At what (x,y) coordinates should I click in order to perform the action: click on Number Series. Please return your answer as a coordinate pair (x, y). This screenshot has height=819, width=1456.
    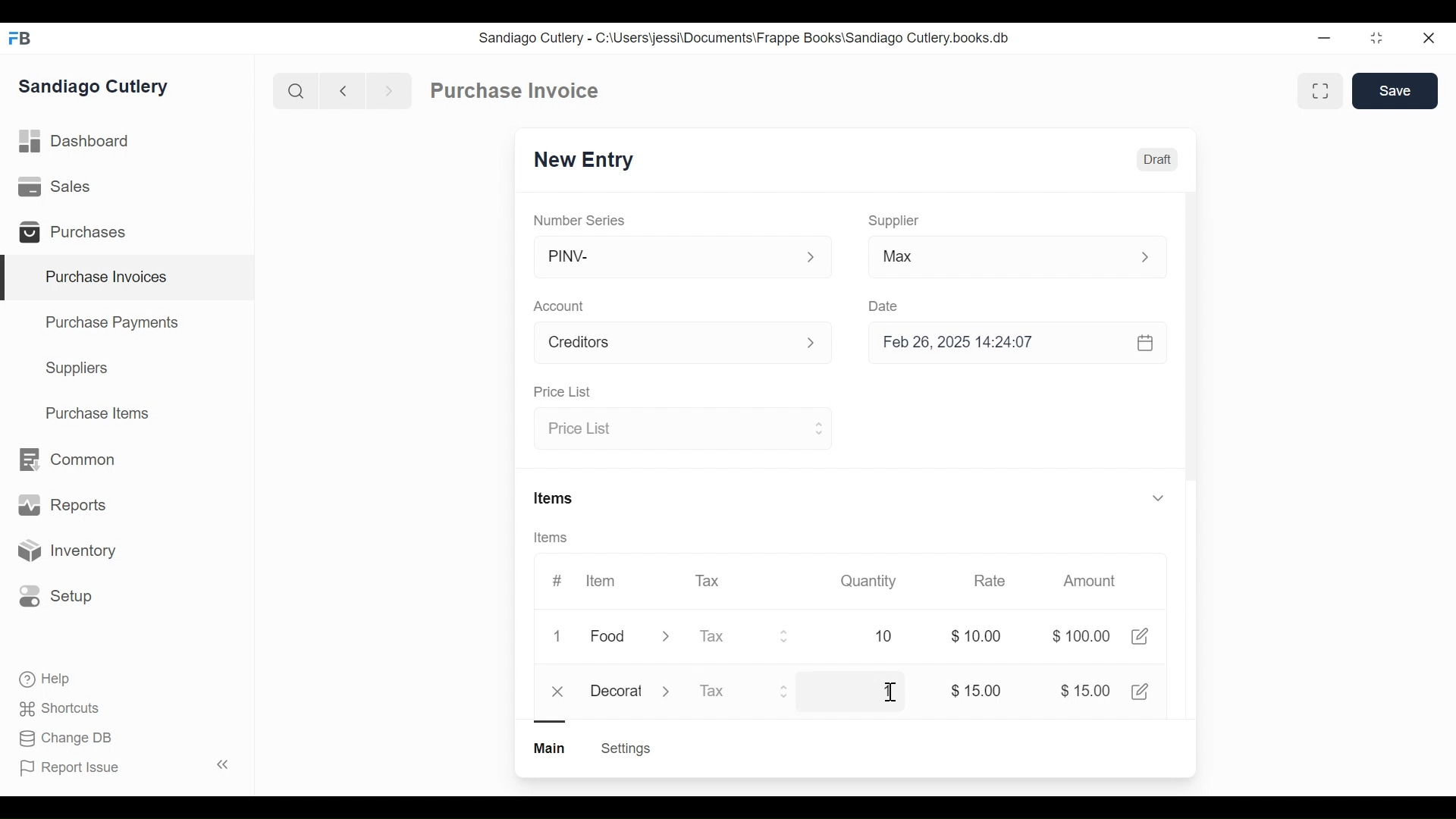
    Looking at the image, I should click on (581, 220).